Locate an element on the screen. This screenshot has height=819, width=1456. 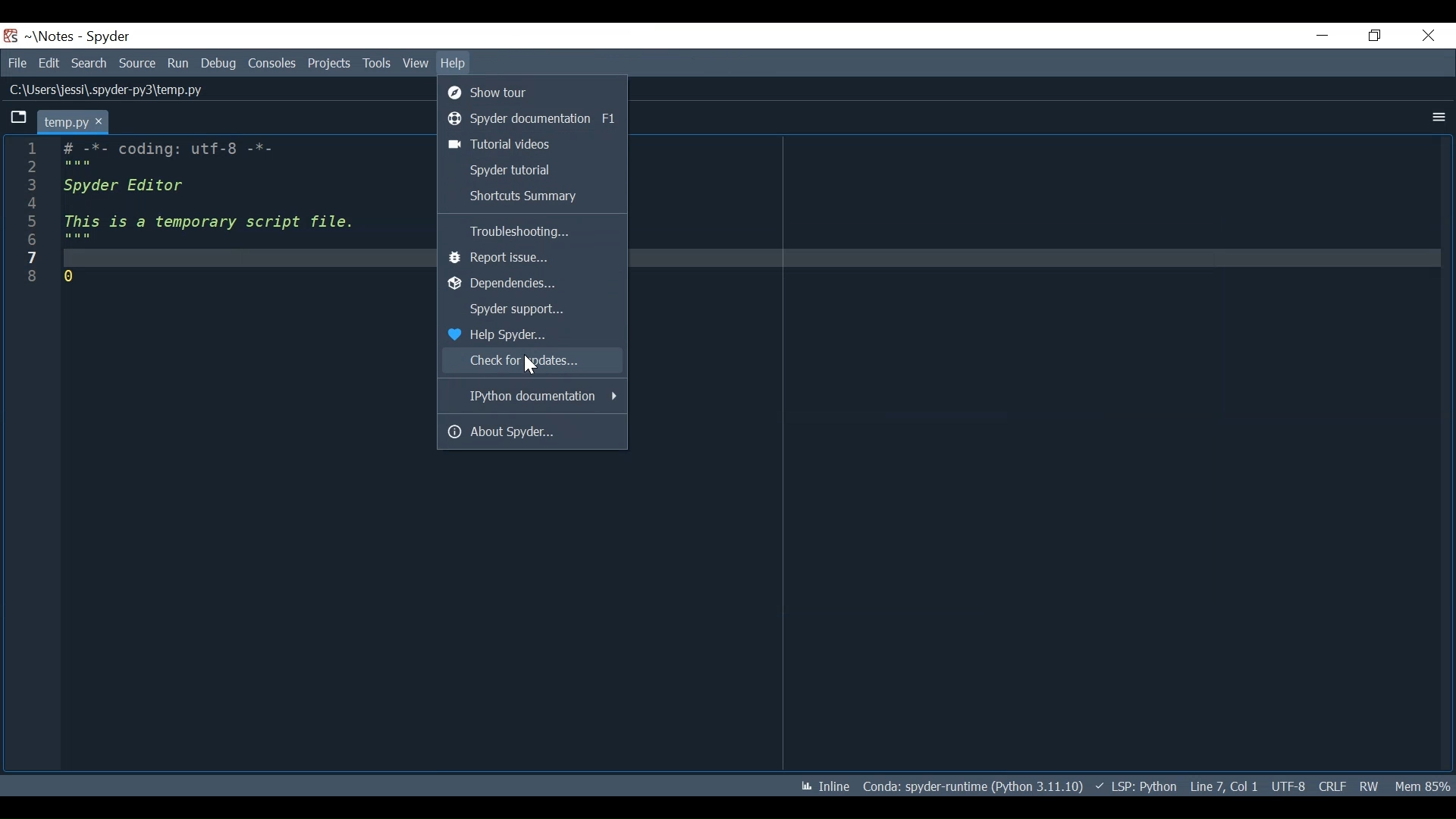
Cursor is located at coordinates (529, 364).